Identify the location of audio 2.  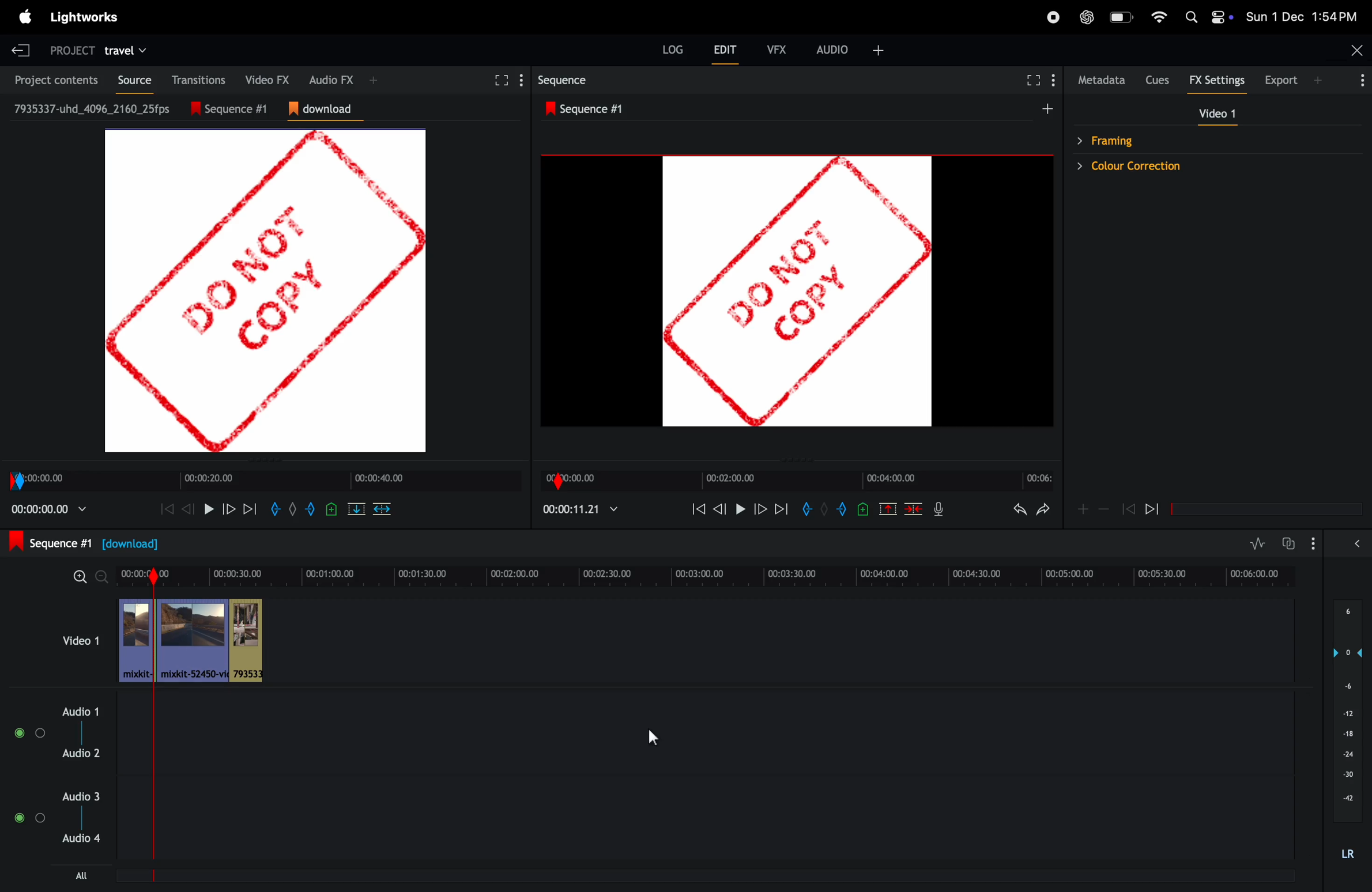
(81, 753).